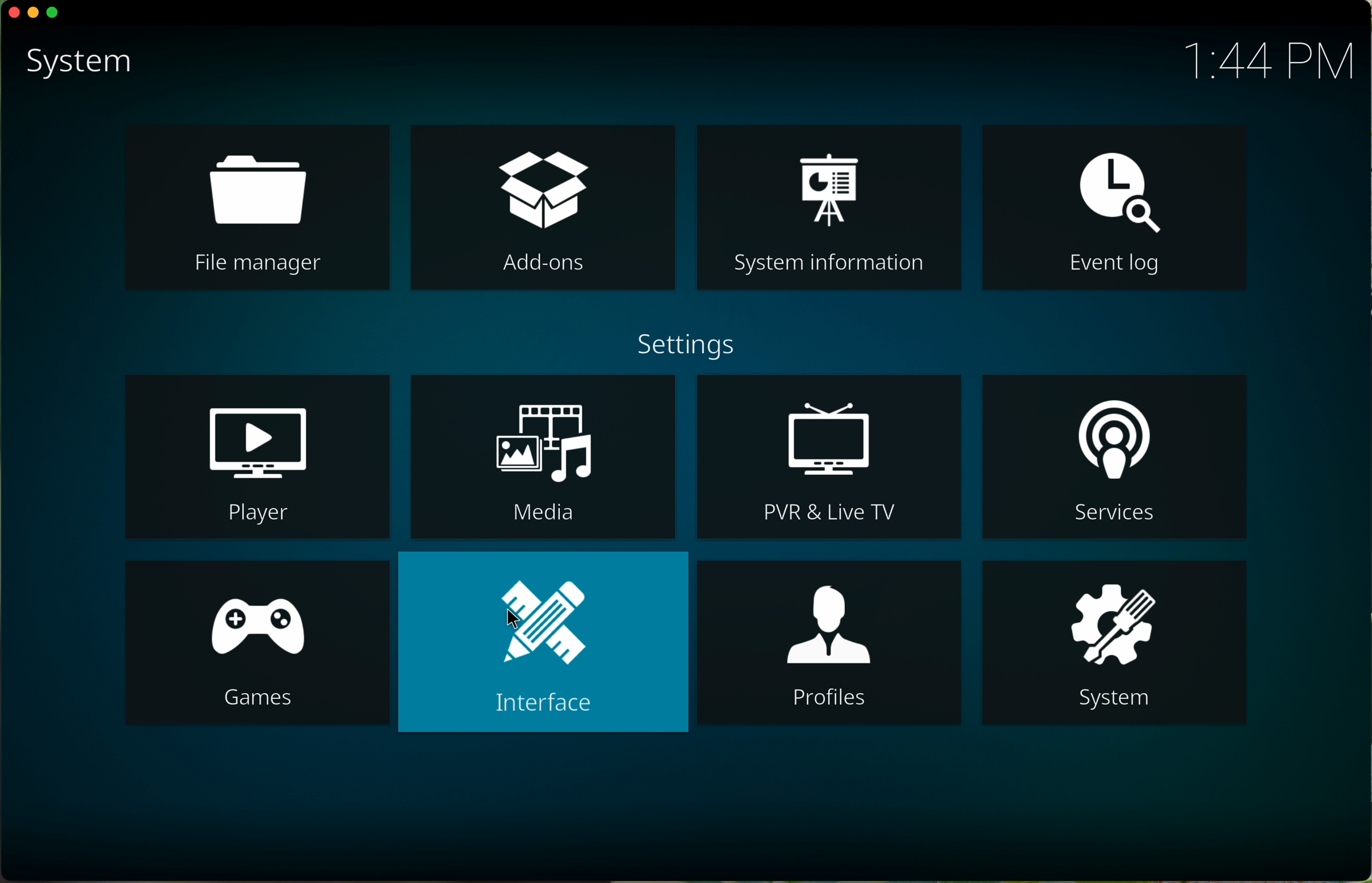  I want to click on system information, so click(829, 206).